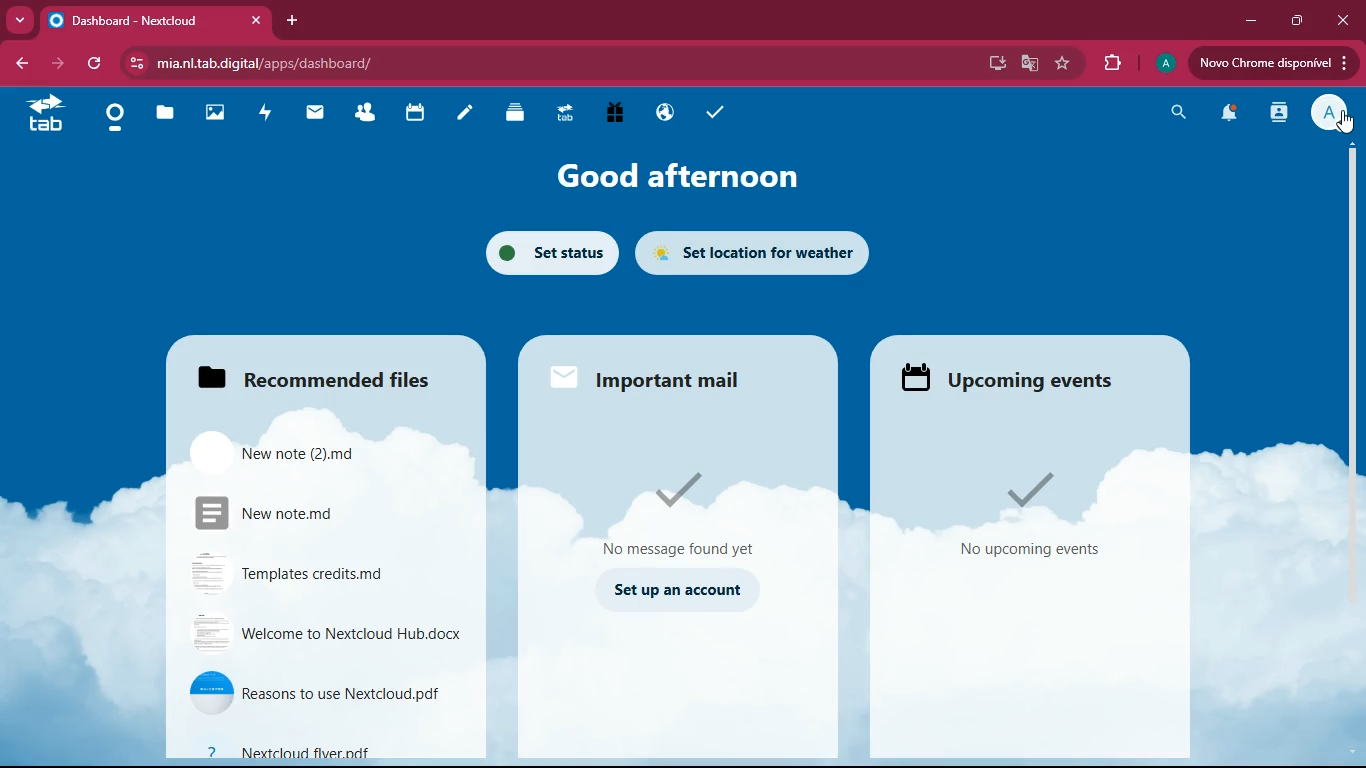 The width and height of the screenshot is (1366, 768). I want to click on profile, so click(1322, 114).